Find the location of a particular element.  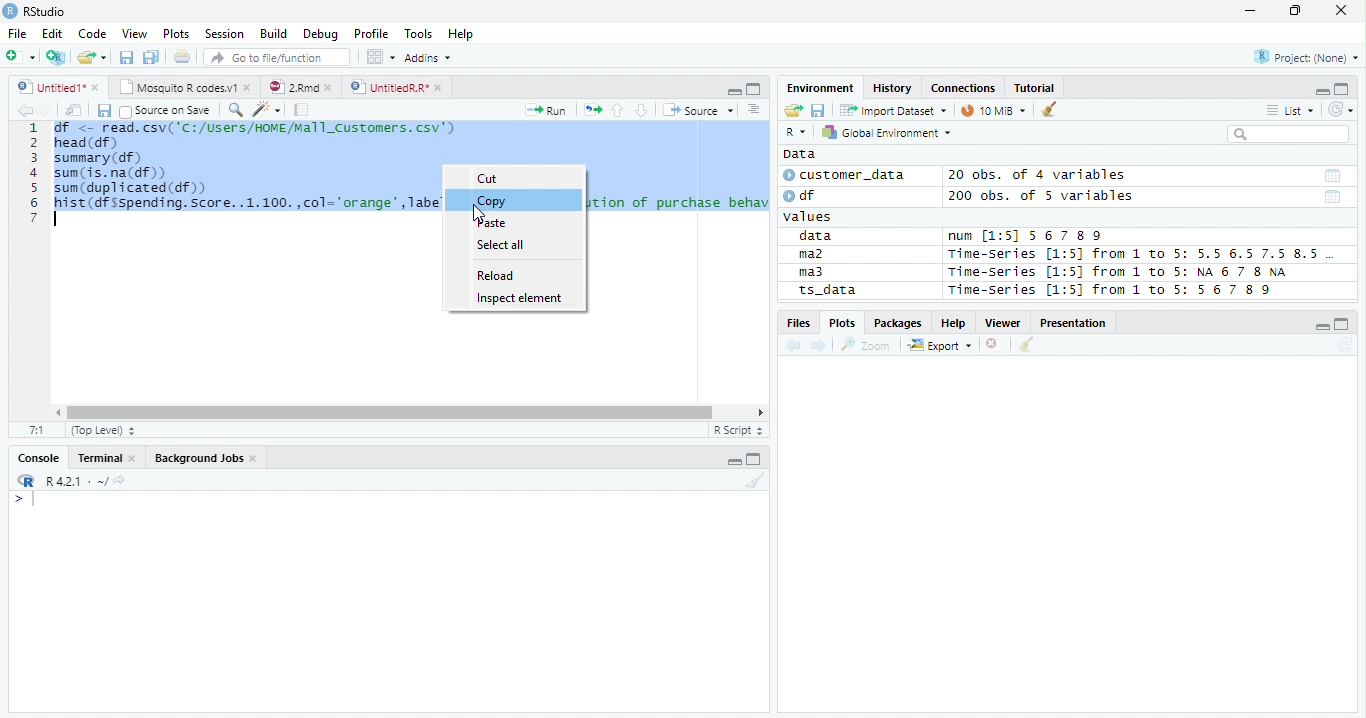

Export is located at coordinates (940, 346).